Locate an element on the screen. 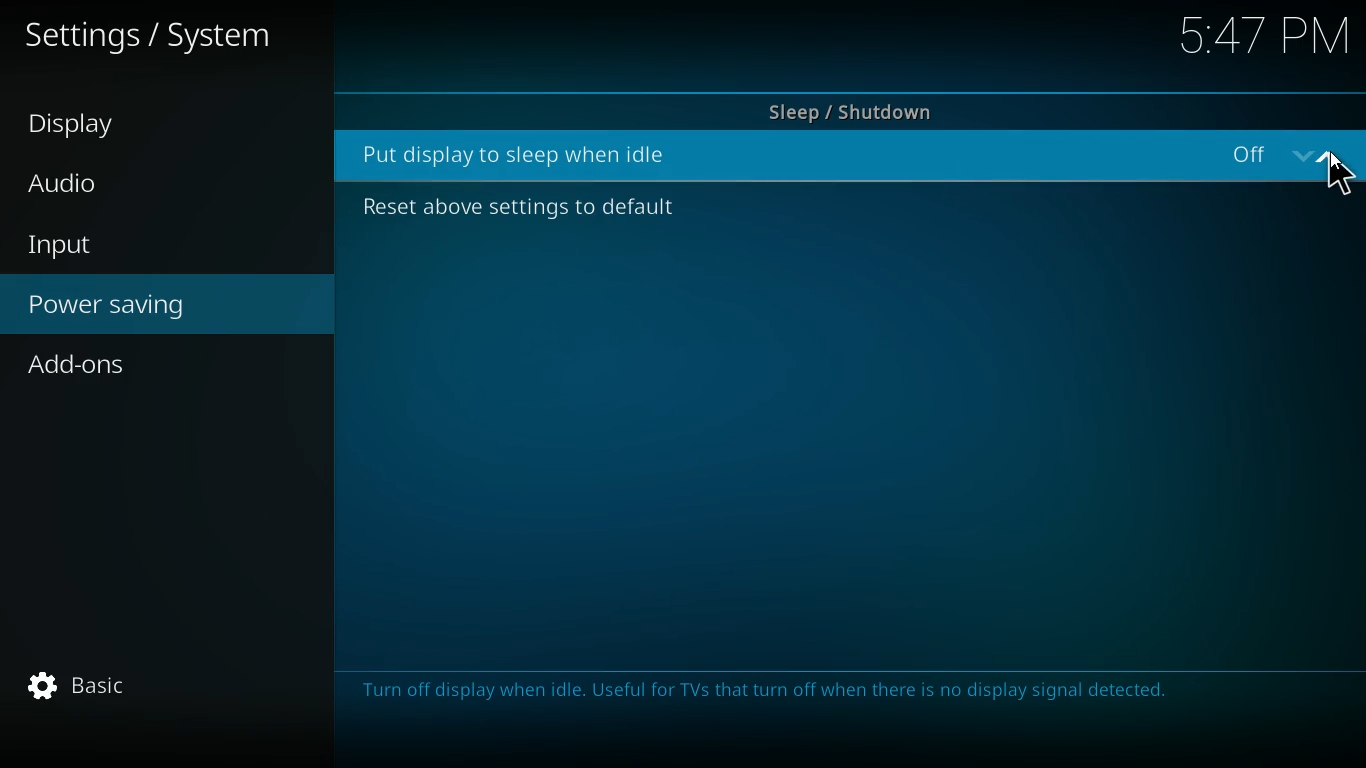 This screenshot has height=768, width=1366. Cursor is located at coordinates (1340, 182).